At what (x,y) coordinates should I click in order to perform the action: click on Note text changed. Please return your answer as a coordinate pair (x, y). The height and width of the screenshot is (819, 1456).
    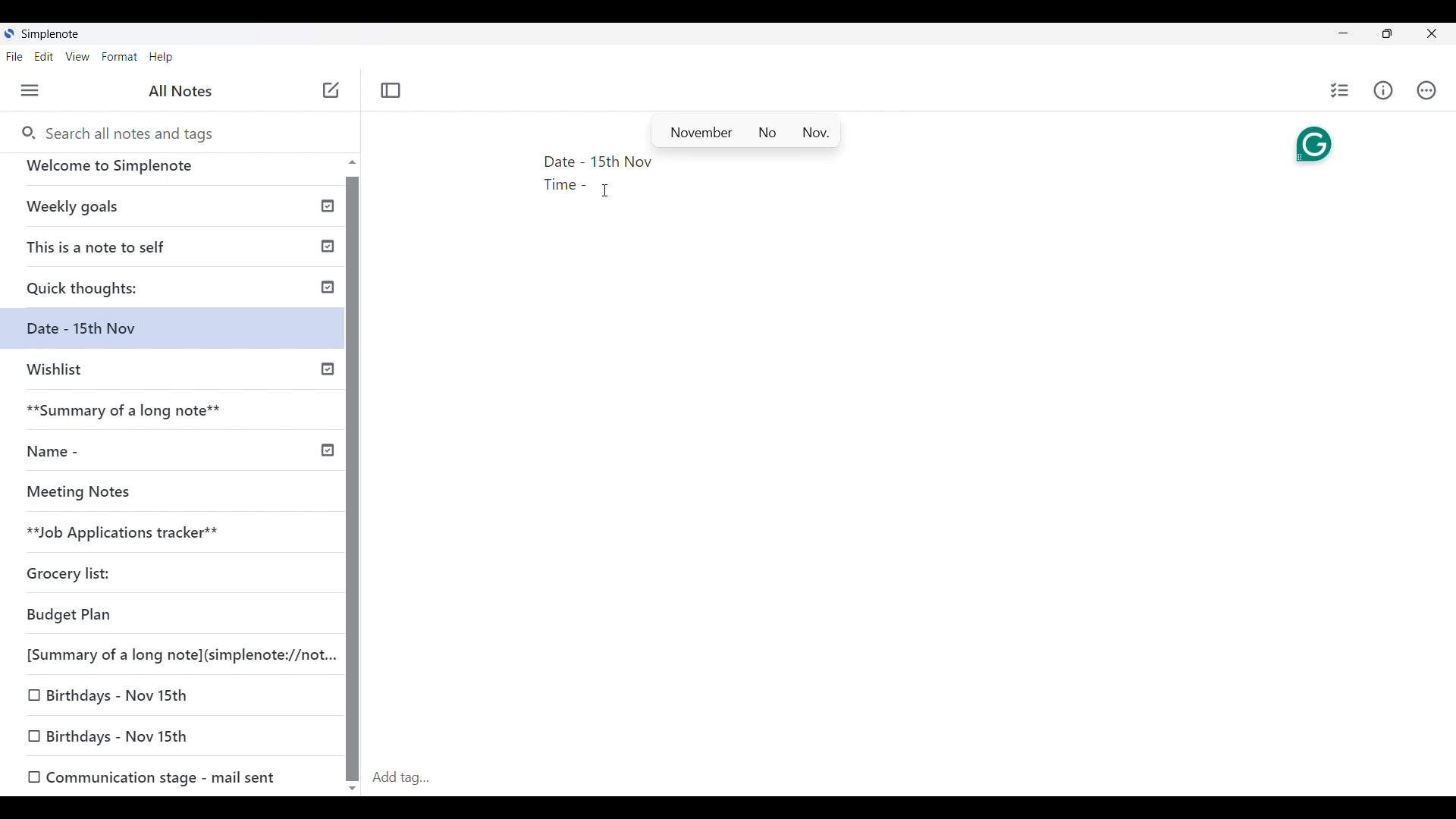
    Looking at the image, I should click on (179, 334).